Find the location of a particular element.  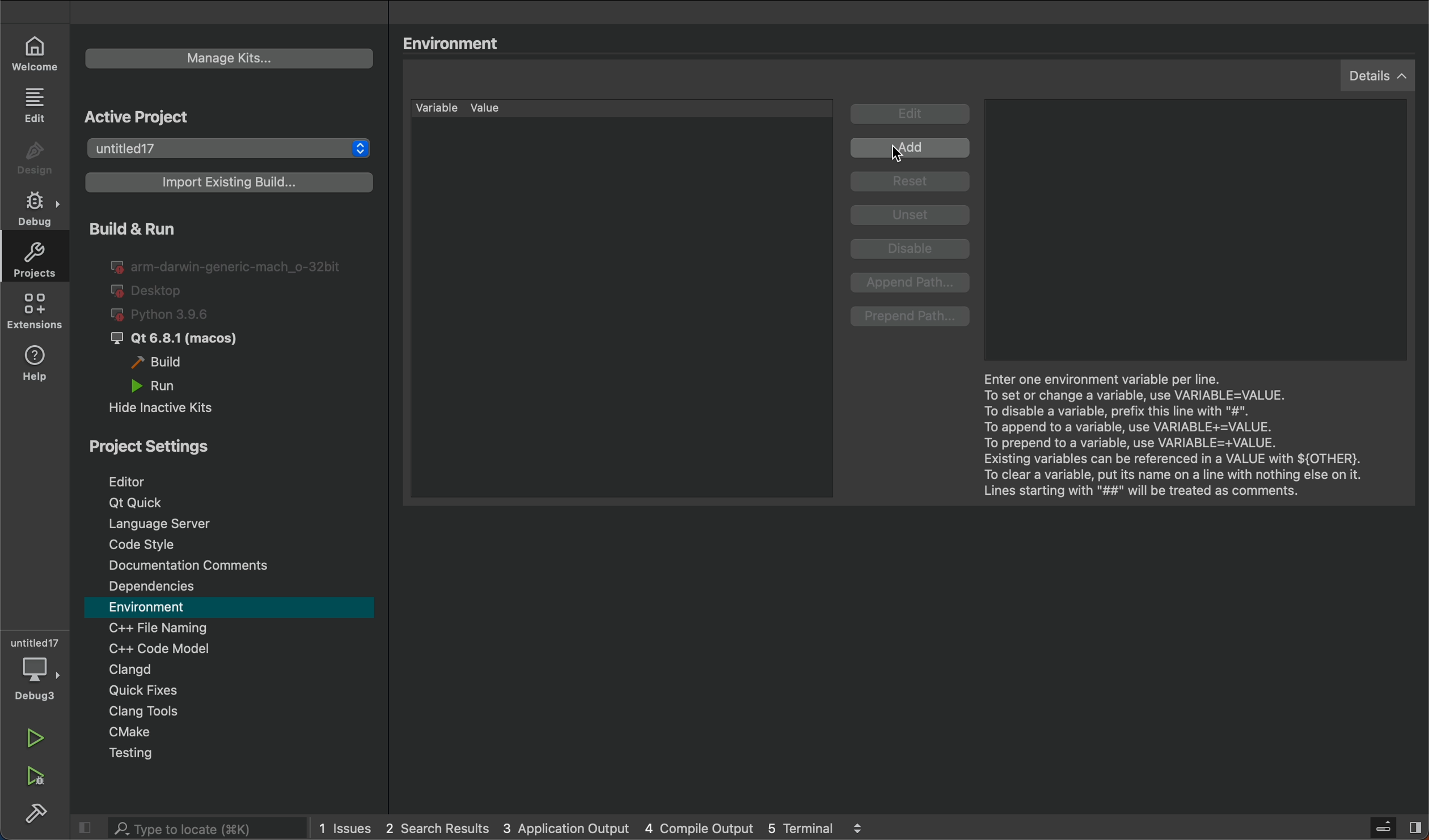

comments is located at coordinates (231, 564).